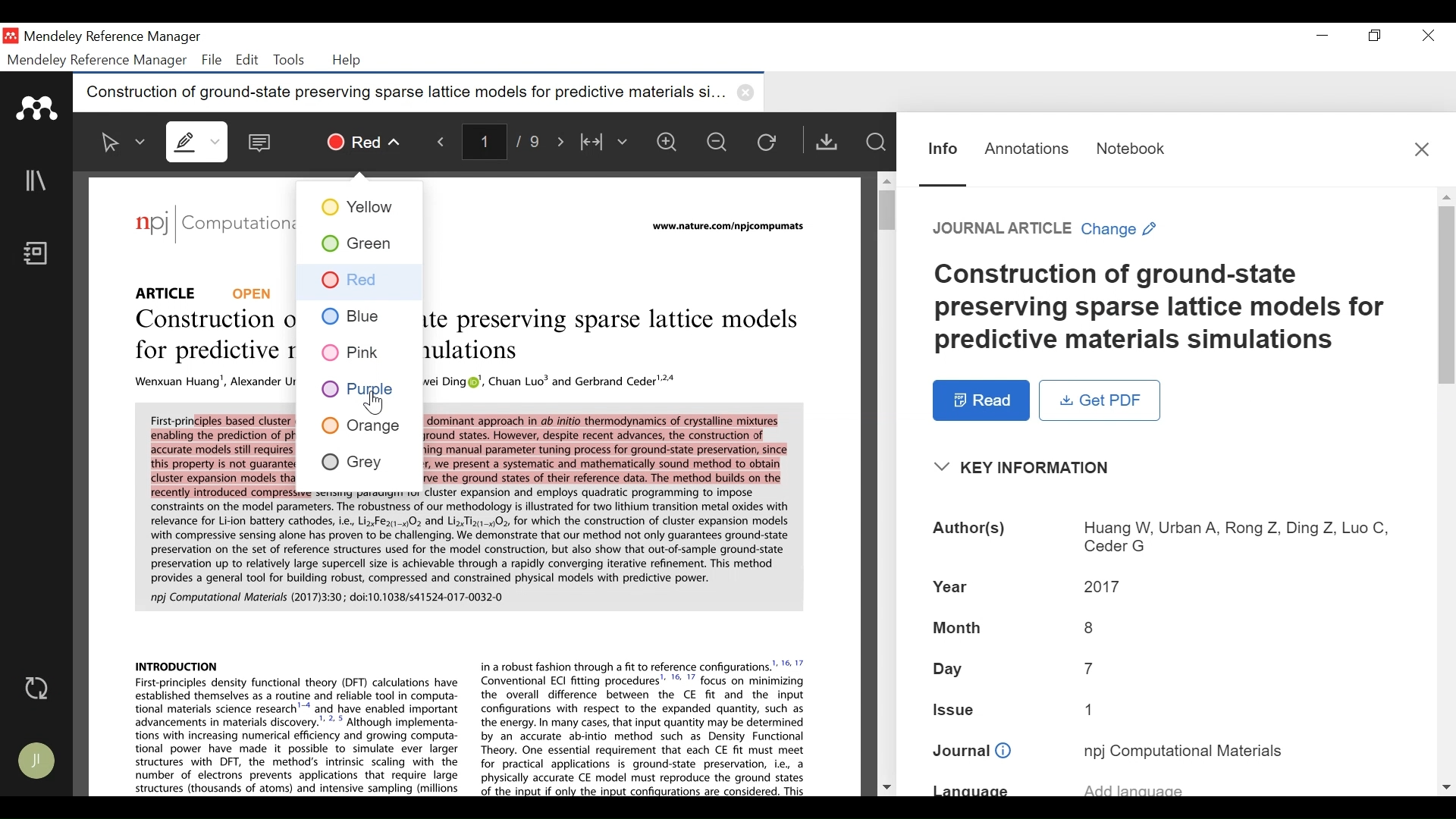  What do you see at coordinates (256, 292) in the screenshot?
I see `Open` at bounding box center [256, 292].